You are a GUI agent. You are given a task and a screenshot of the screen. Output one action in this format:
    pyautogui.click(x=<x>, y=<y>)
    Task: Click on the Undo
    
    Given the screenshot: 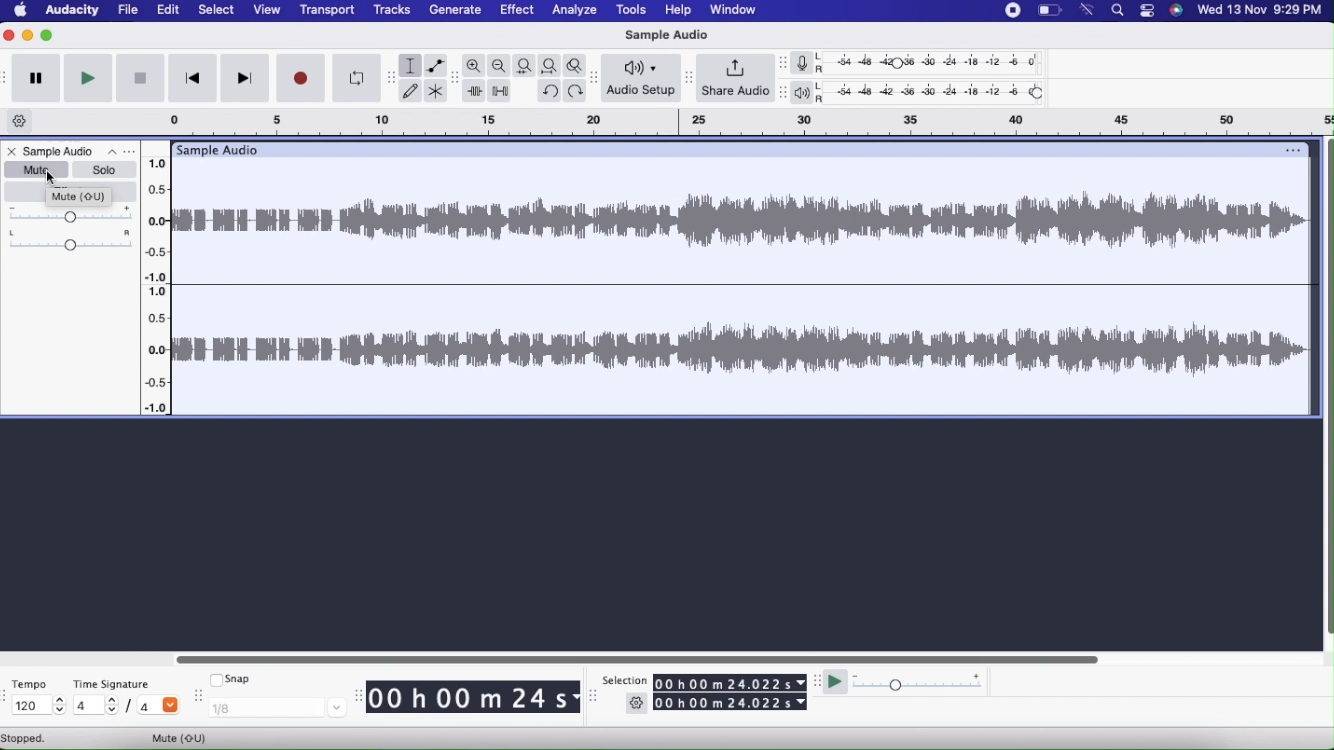 What is the action you would take?
    pyautogui.click(x=550, y=91)
    